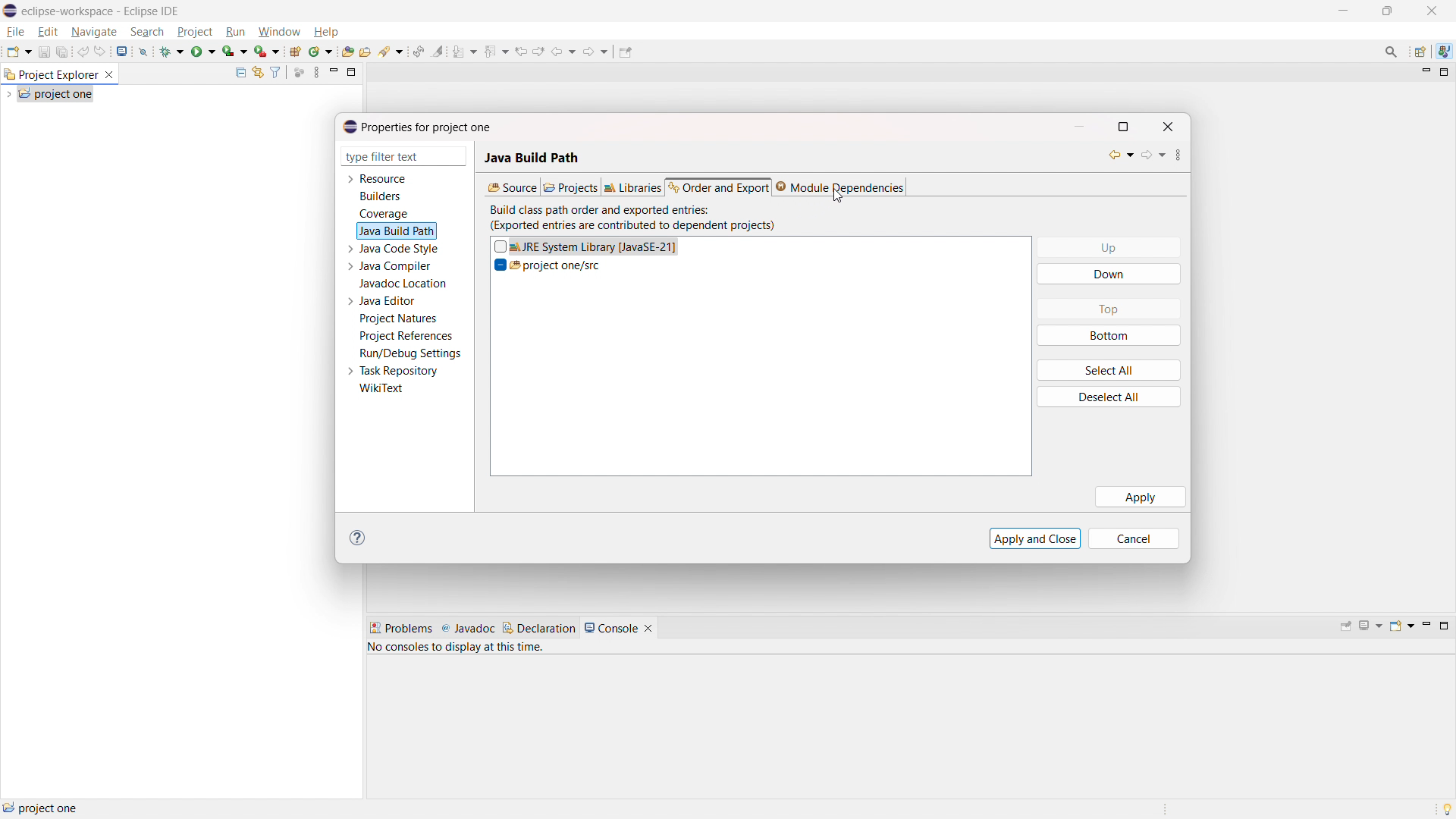 Image resolution: width=1456 pixels, height=819 pixels. I want to click on build class path order and exported entries:, so click(607, 206).